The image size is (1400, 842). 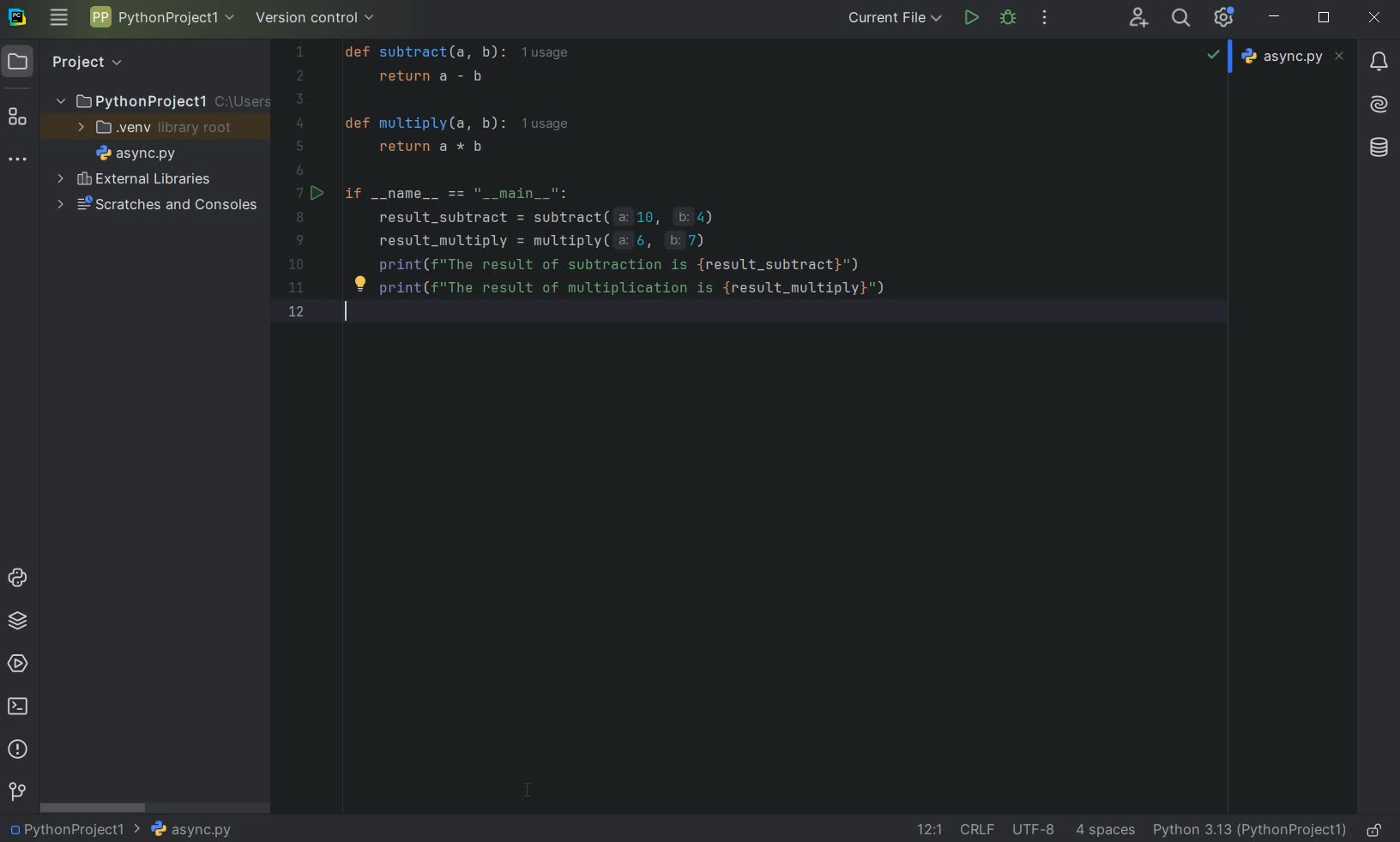 What do you see at coordinates (1178, 20) in the screenshot?
I see `search everywhere` at bounding box center [1178, 20].